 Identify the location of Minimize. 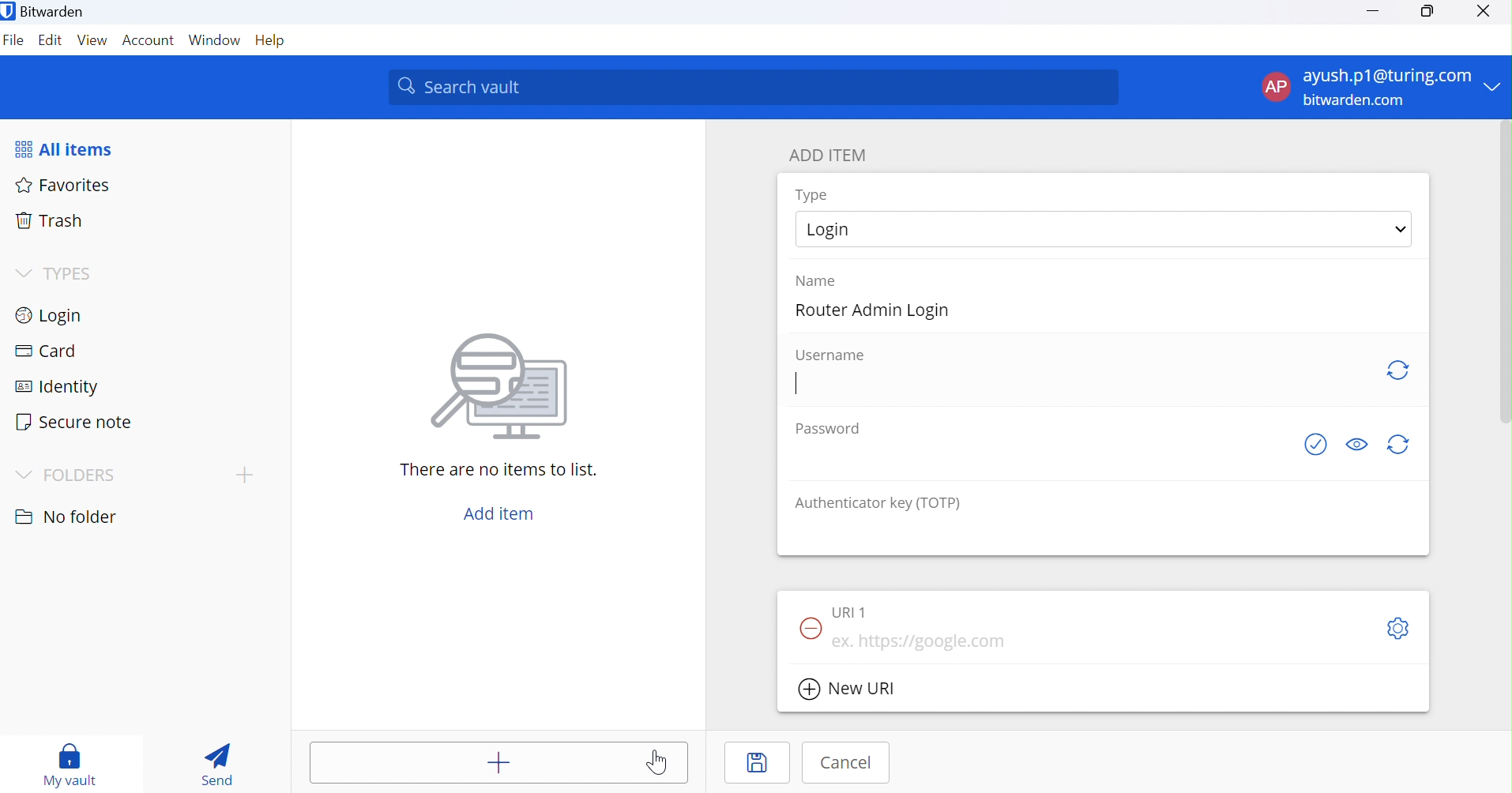
(1374, 11).